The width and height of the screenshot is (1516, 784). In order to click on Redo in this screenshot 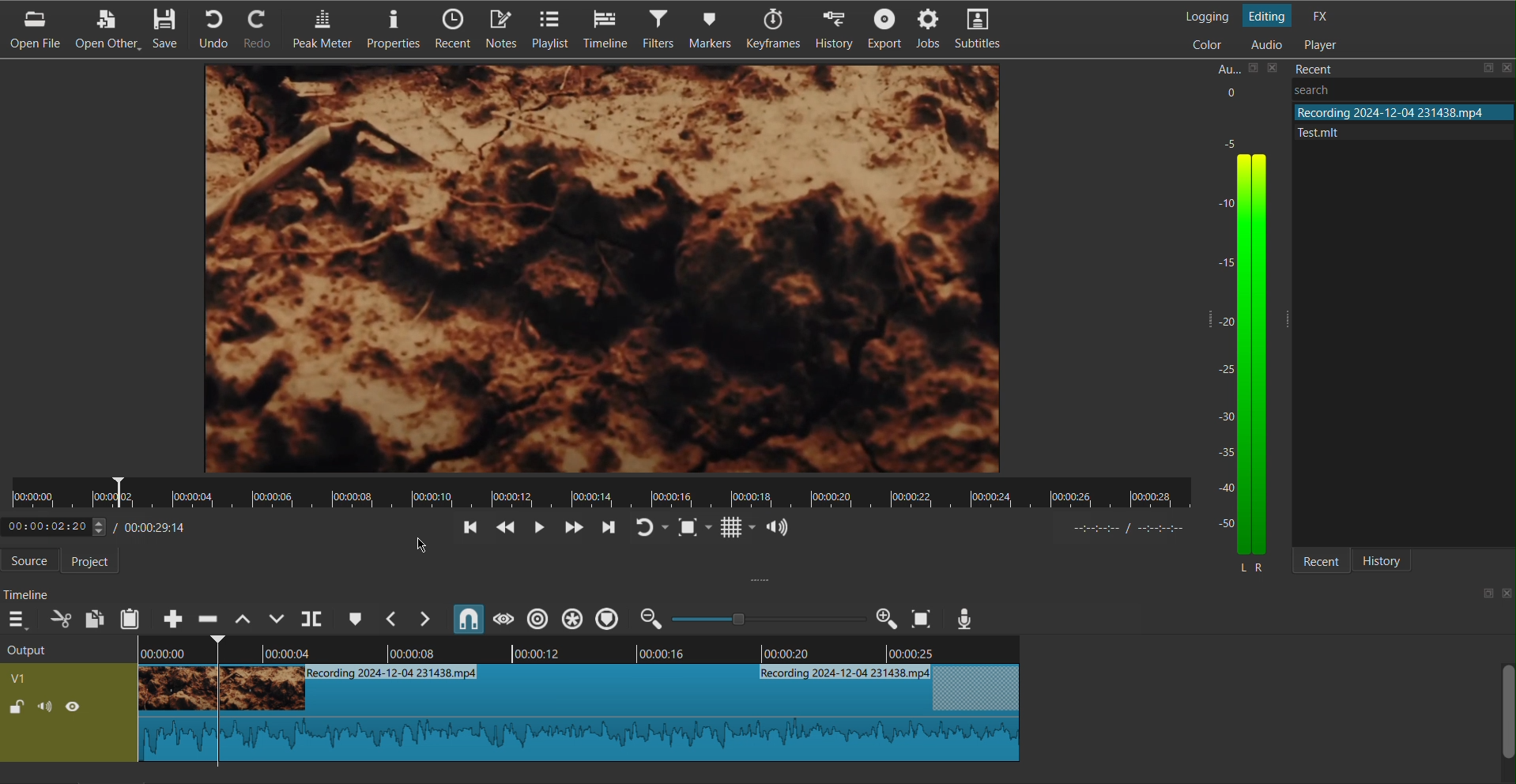, I will do `click(648, 528)`.